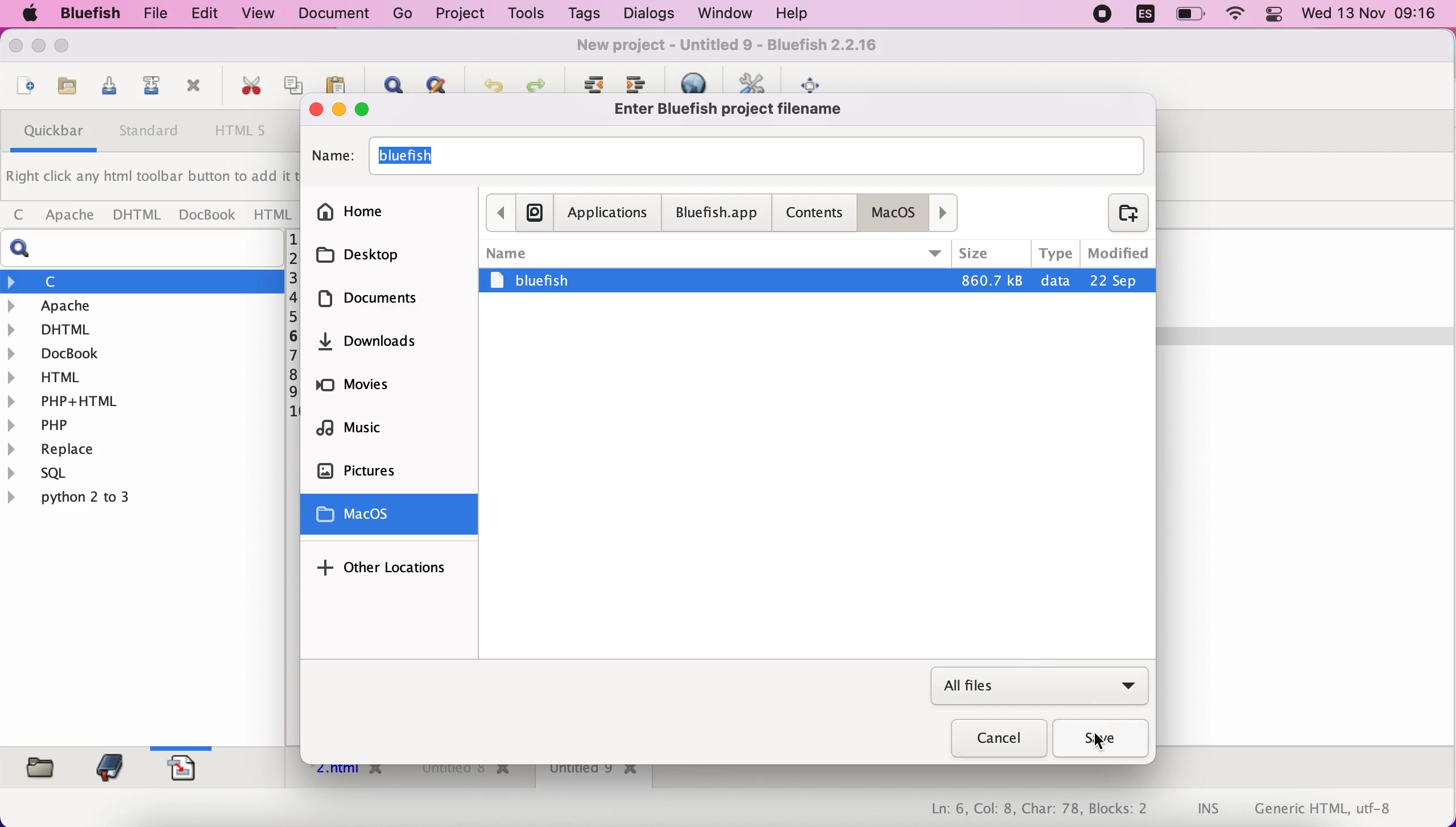 The height and width of the screenshot is (827, 1456). What do you see at coordinates (340, 110) in the screenshot?
I see `minimize` at bounding box center [340, 110].